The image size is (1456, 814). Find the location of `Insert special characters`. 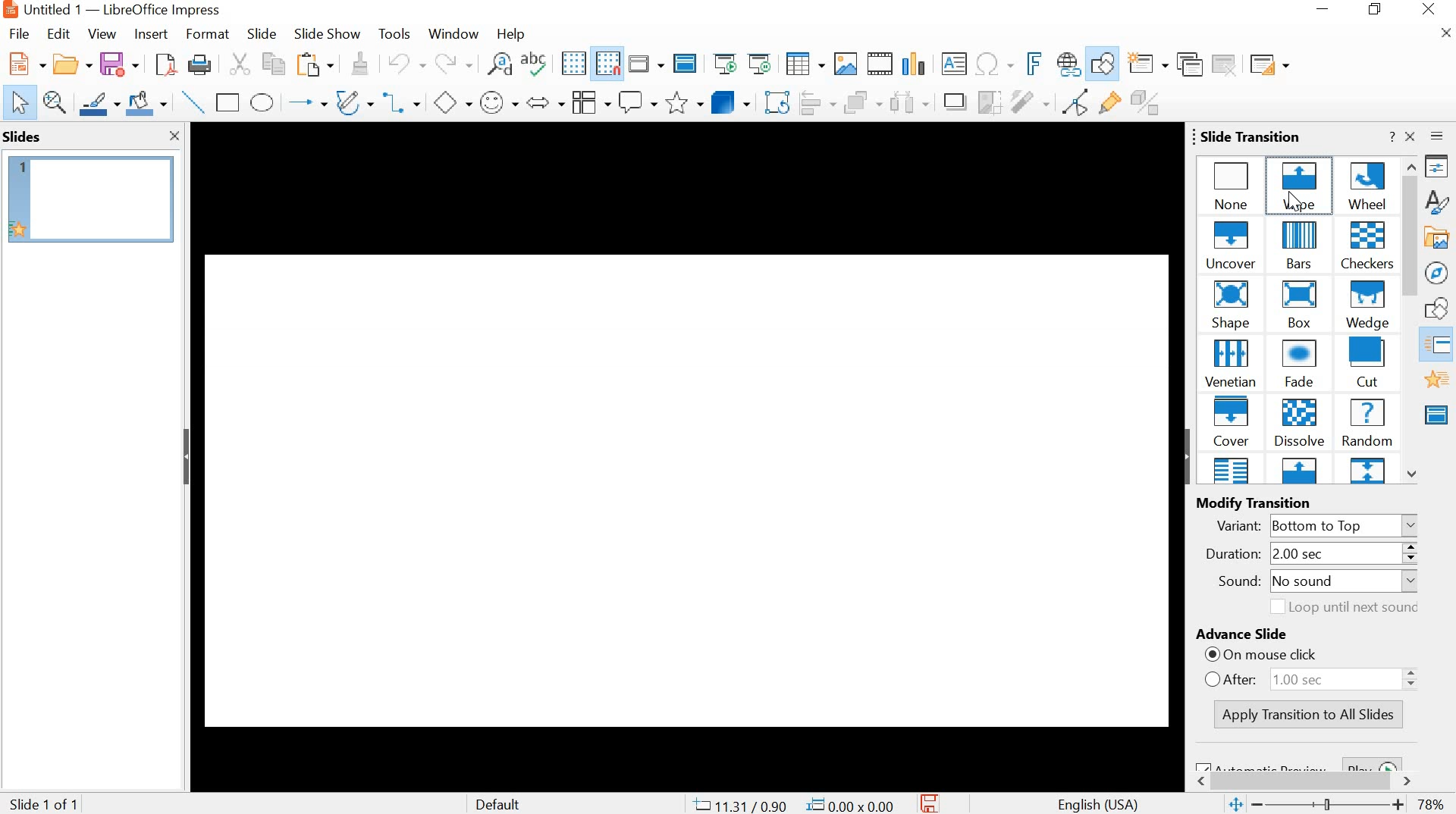

Insert special characters is located at coordinates (996, 64).